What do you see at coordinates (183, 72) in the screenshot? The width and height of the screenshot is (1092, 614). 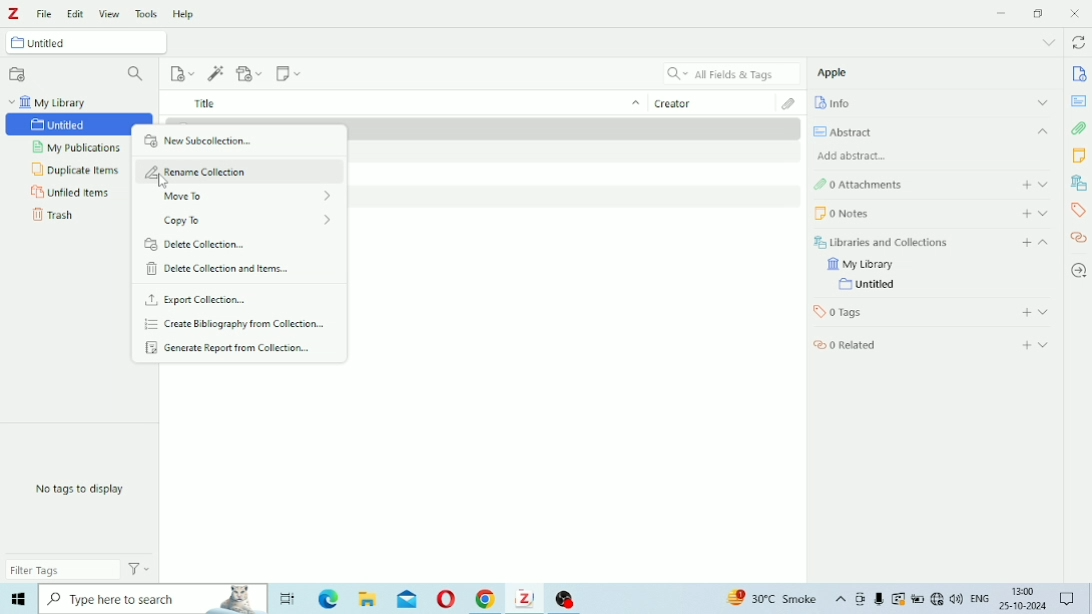 I see `New Item` at bounding box center [183, 72].